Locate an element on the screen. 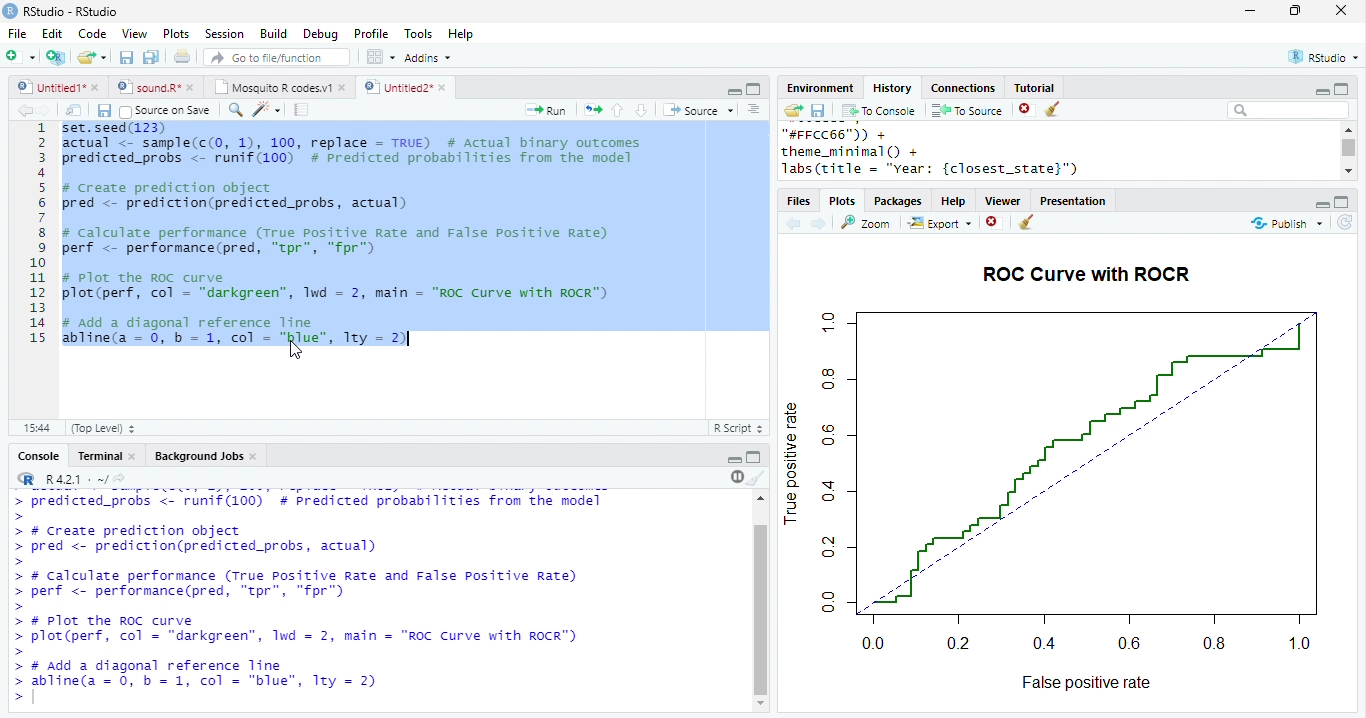 The width and height of the screenshot is (1366, 718). Profile is located at coordinates (371, 33).